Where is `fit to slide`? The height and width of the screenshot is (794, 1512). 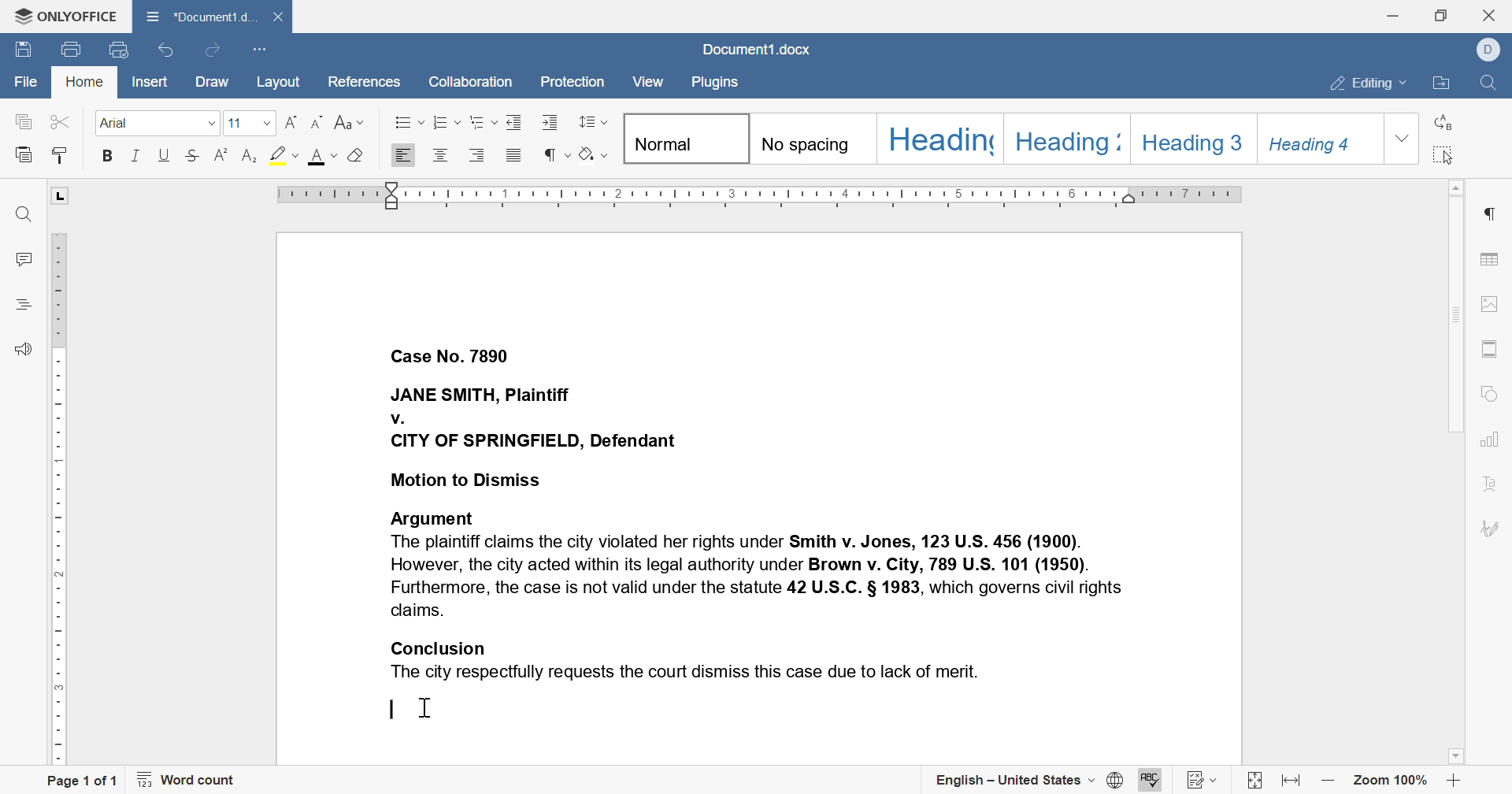 fit to slide is located at coordinates (1254, 781).